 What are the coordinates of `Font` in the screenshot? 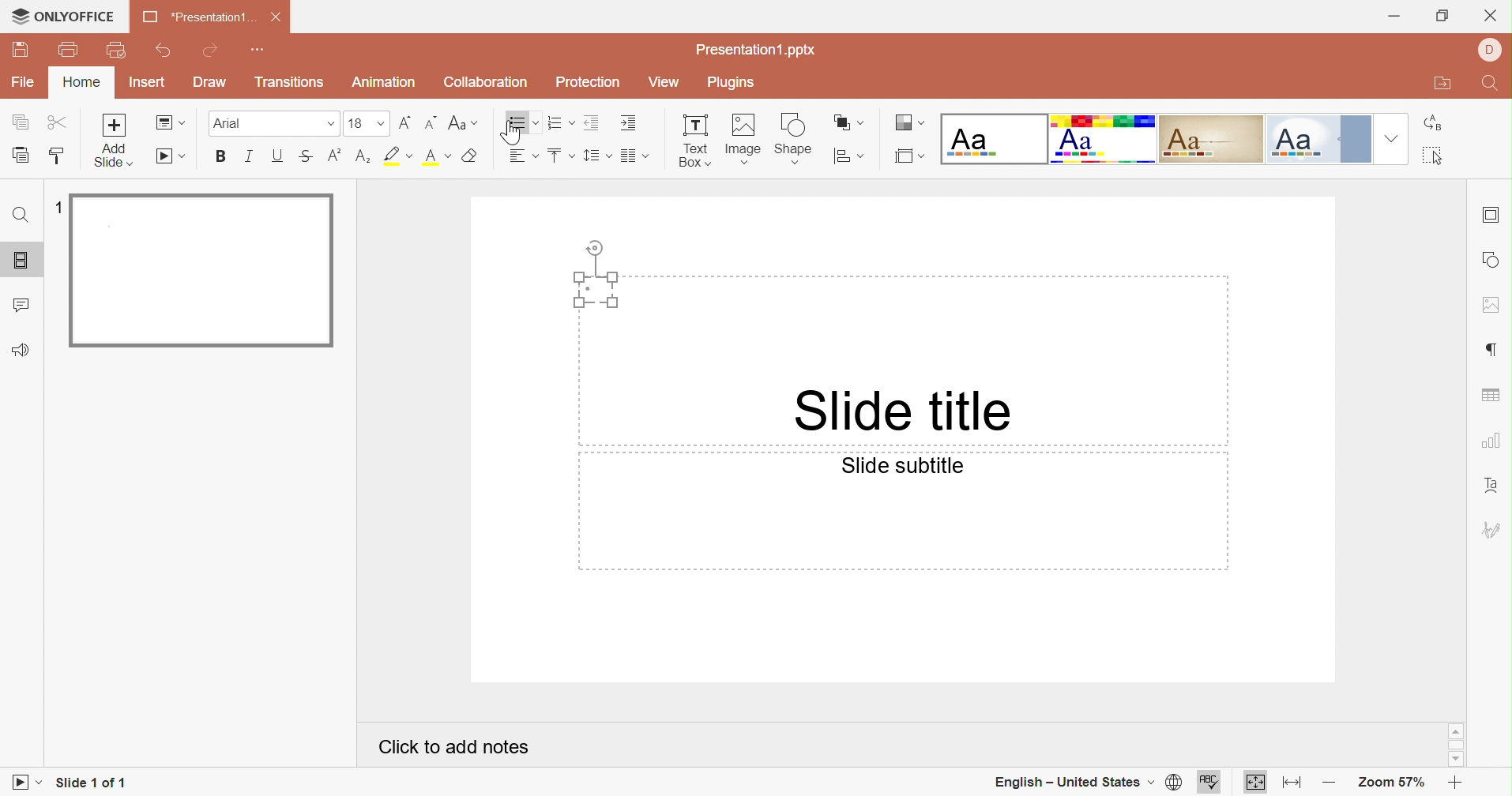 It's located at (231, 124).